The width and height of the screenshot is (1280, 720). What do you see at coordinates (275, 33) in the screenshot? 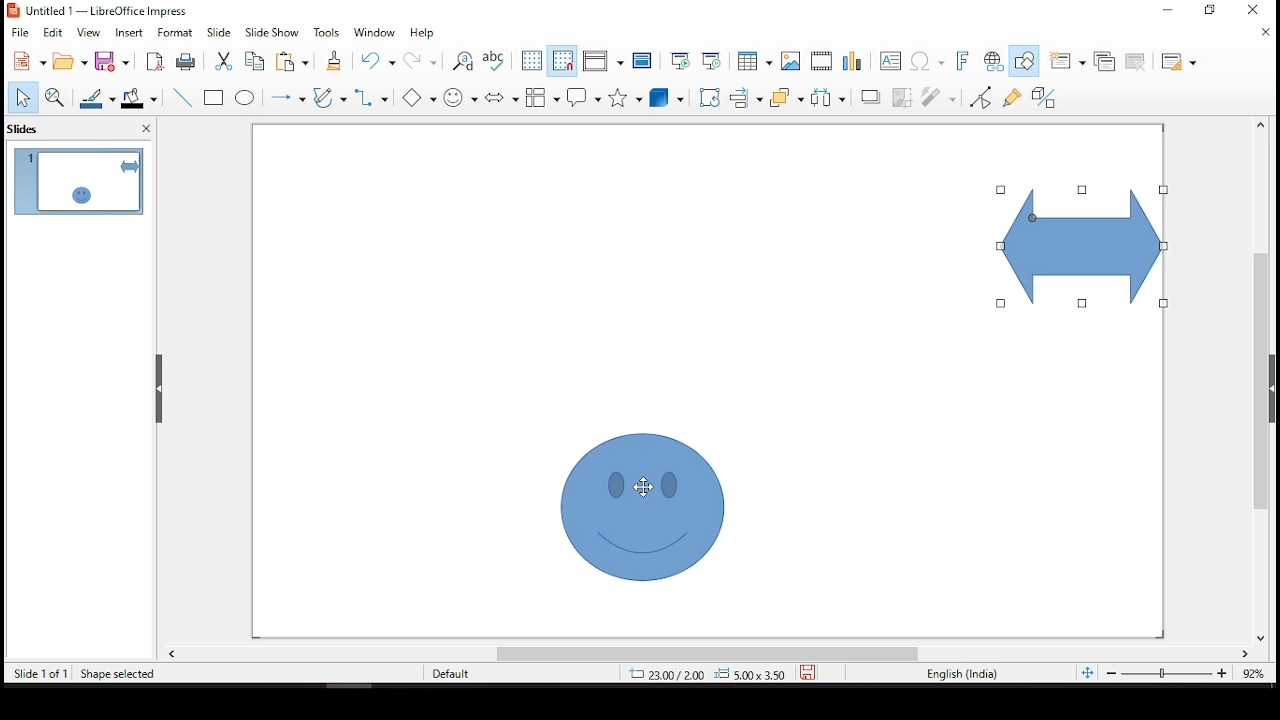
I see `slide show` at bounding box center [275, 33].